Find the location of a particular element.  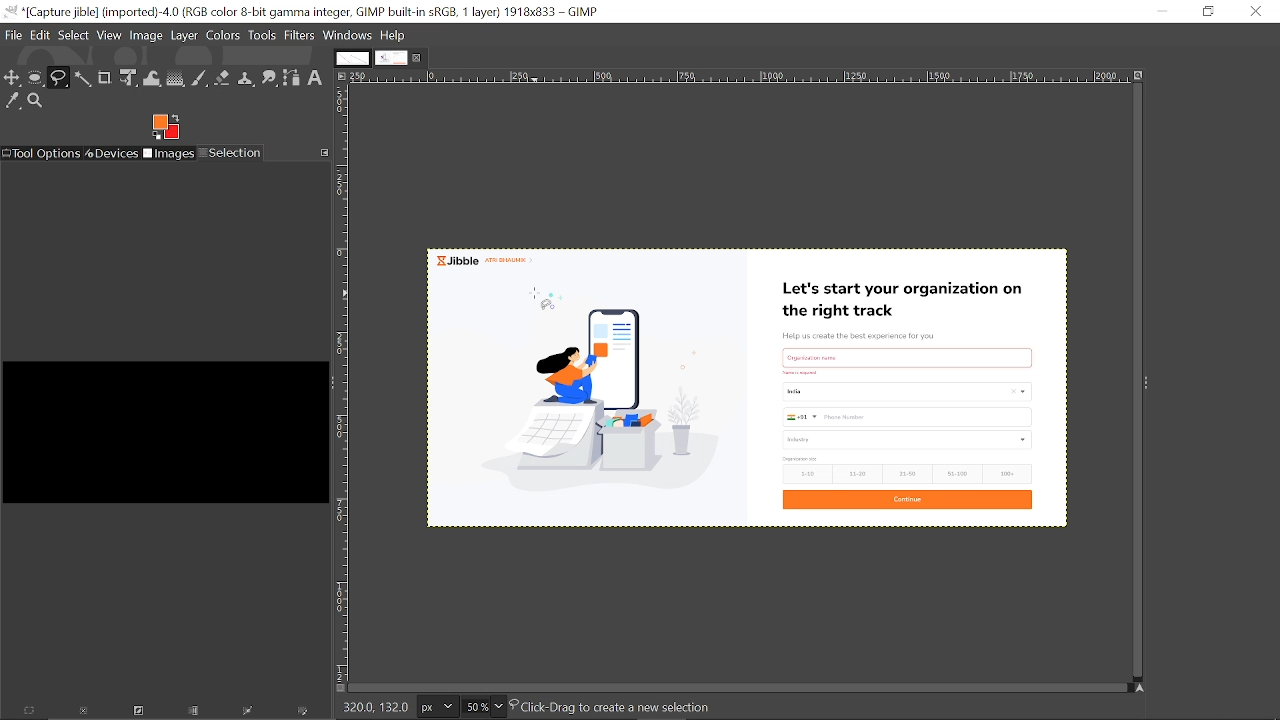

Tool options is located at coordinates (42, 153).